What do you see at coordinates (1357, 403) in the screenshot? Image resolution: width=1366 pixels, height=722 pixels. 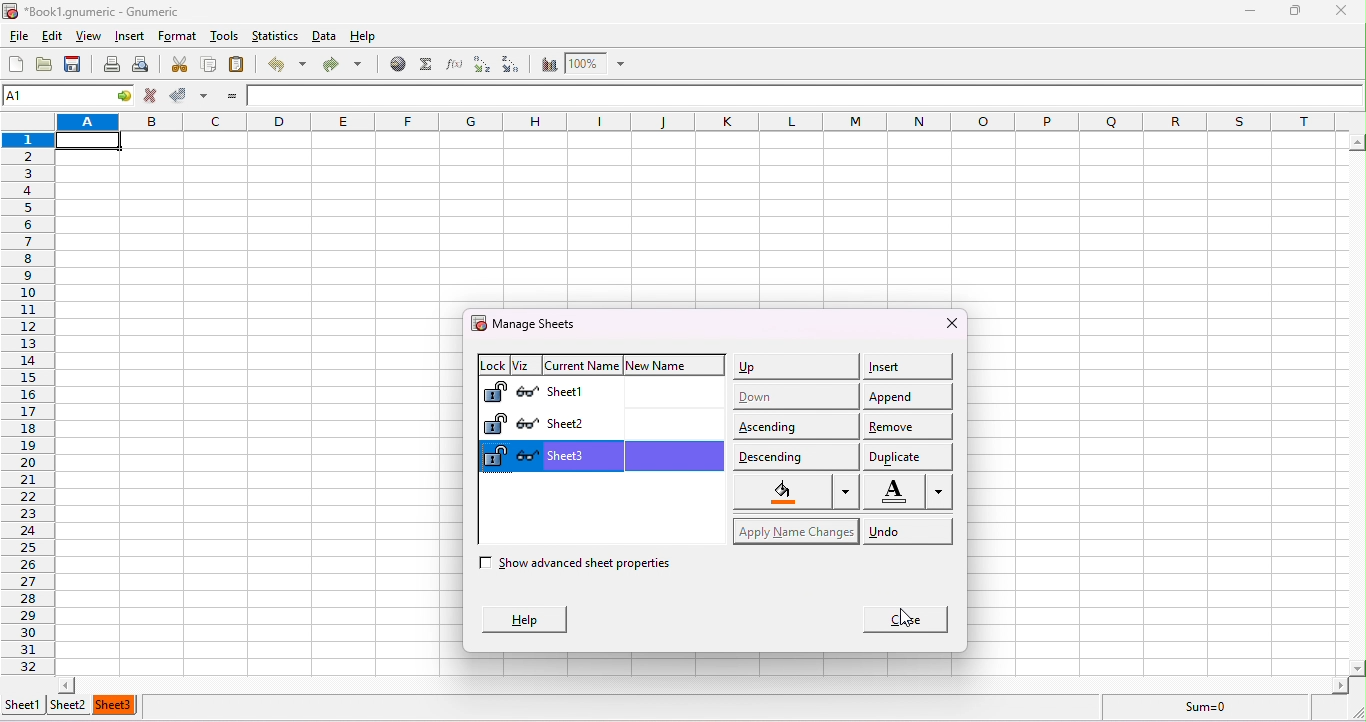 I see `scroll bar` at bounding box center [1357, 403].